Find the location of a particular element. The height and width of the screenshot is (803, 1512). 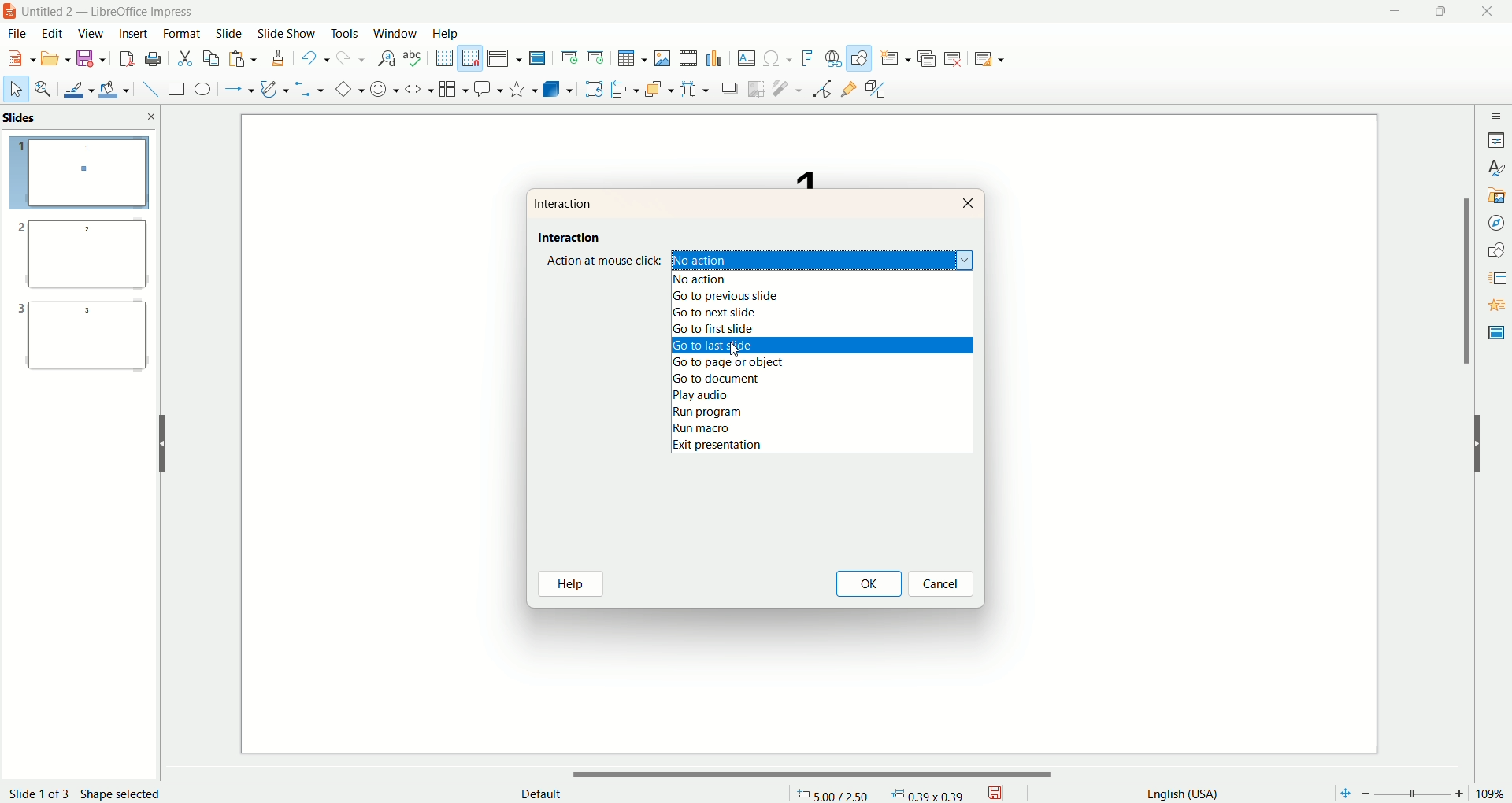

start from first slide is located at coordinates (570, 56).